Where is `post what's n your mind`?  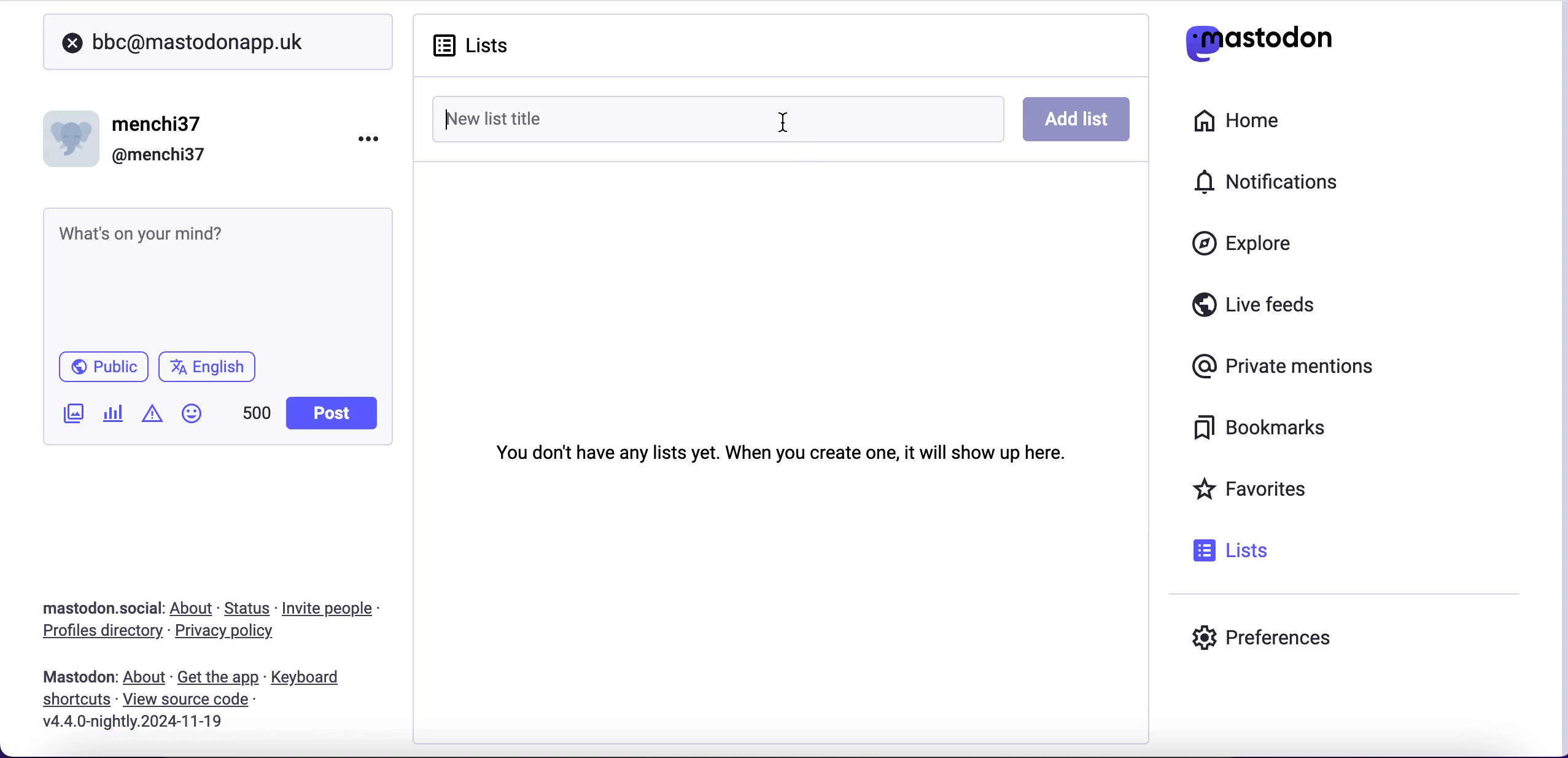
post what's n your mind is located at coordinates (212, 273).